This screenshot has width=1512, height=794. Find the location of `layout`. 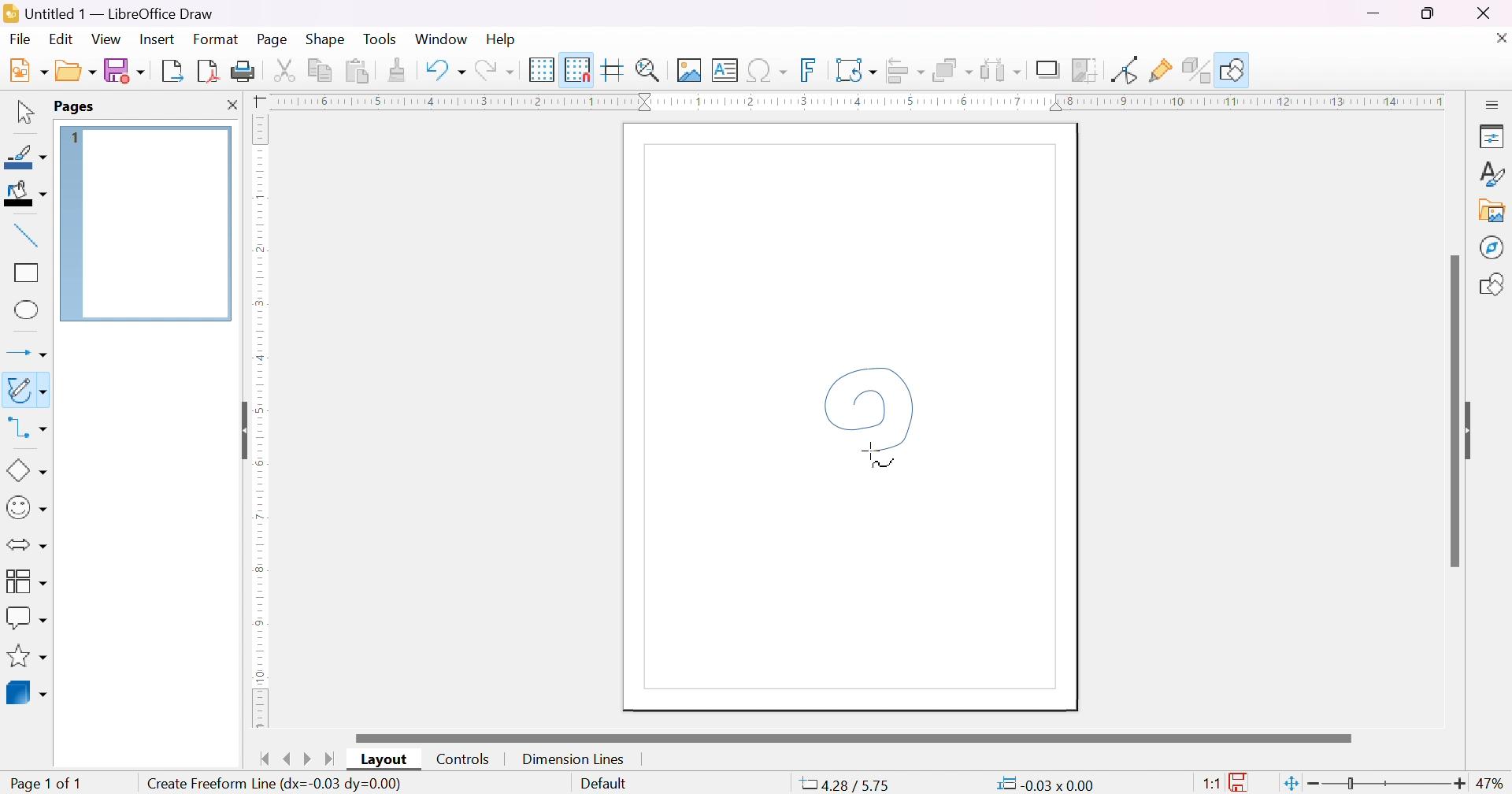

layout is located at coordinates (387, 759).